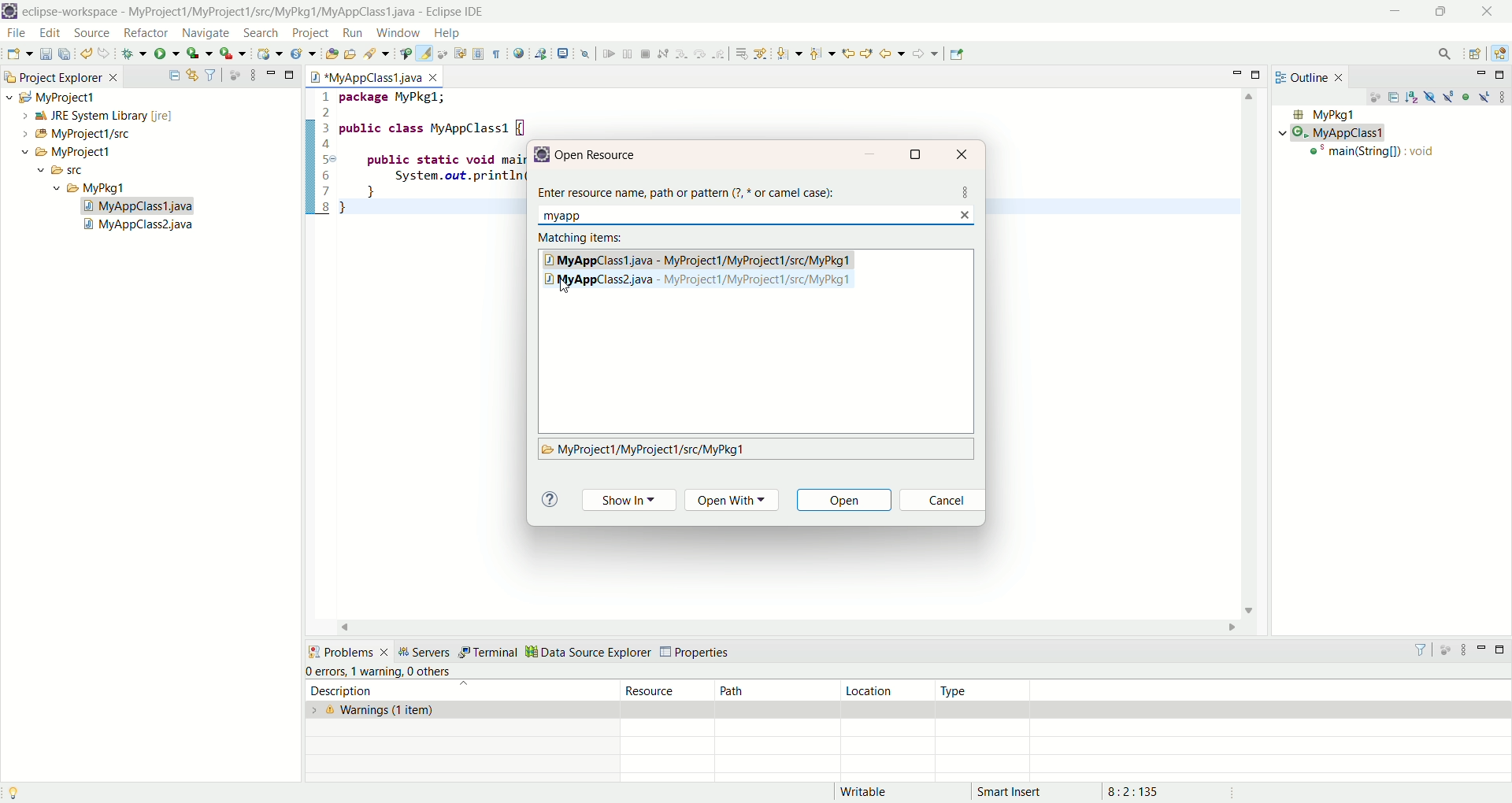  Describe the element at coordinates (9, 11) in the screenshot. I see `eclipse logo` at that location.